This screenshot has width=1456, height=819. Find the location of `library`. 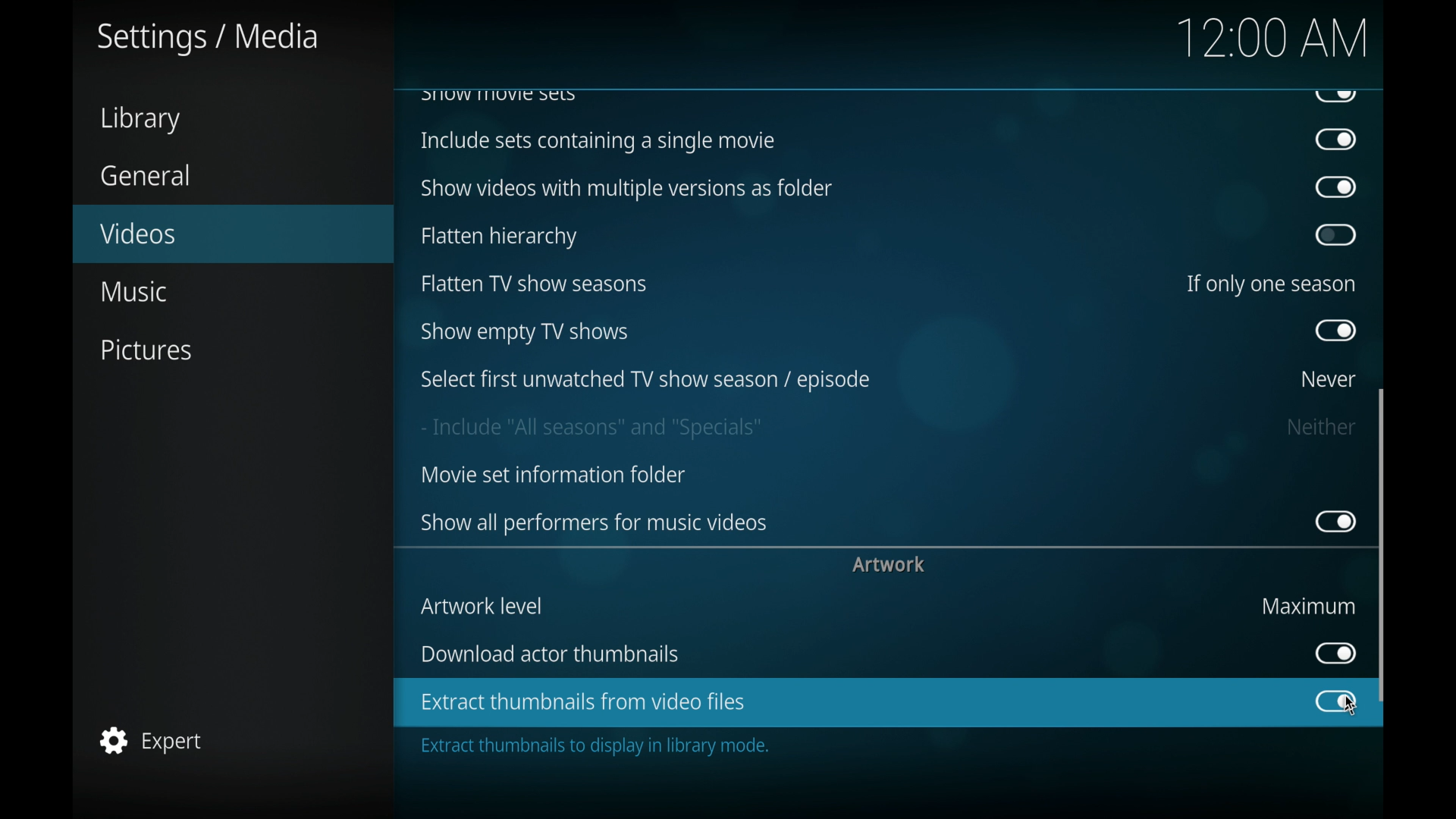

library is located at coordinates (140, 120).